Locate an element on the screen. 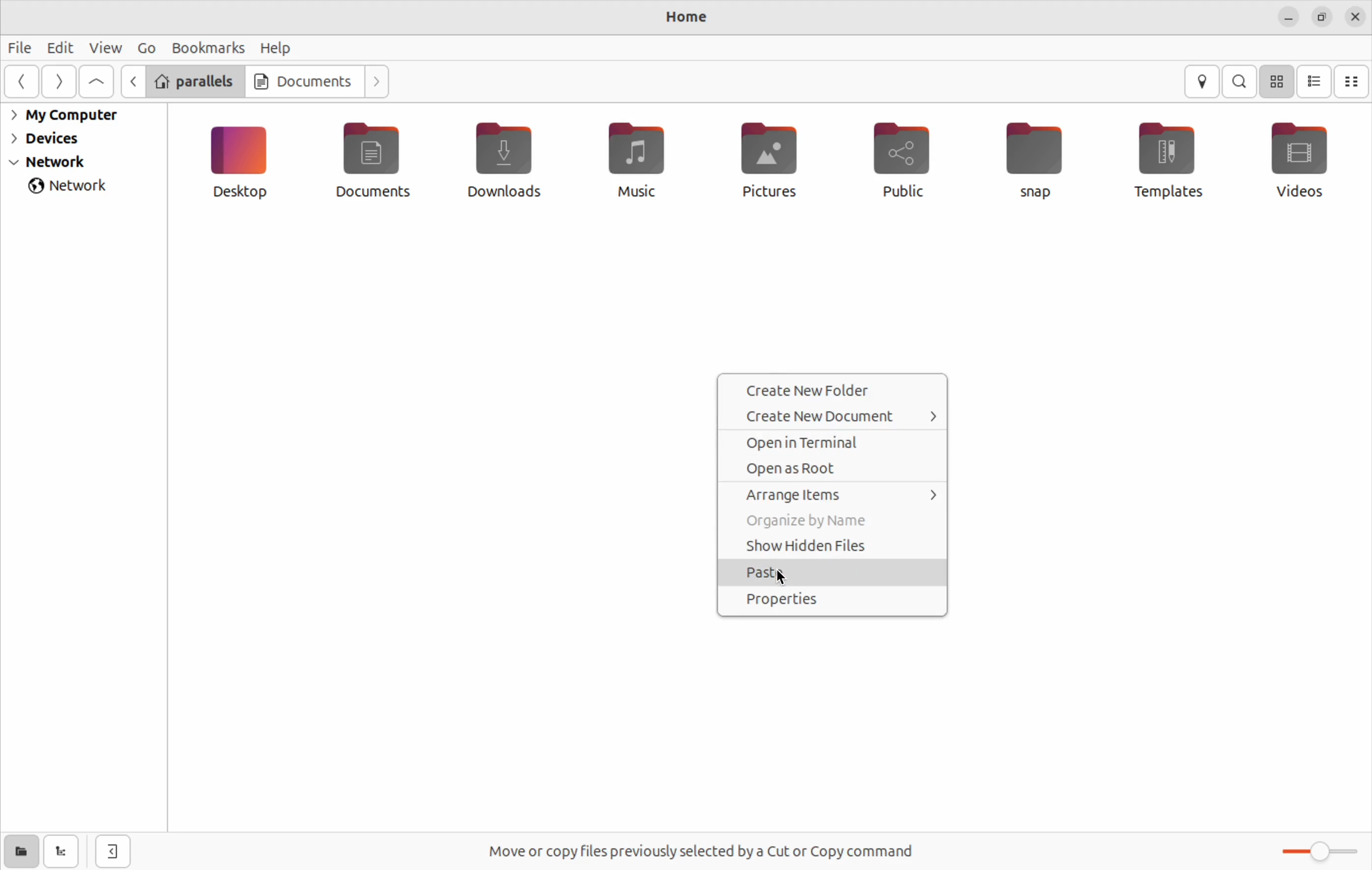 This screenshot has height=870, width=1372. properties is located at coordinates (837, 601).